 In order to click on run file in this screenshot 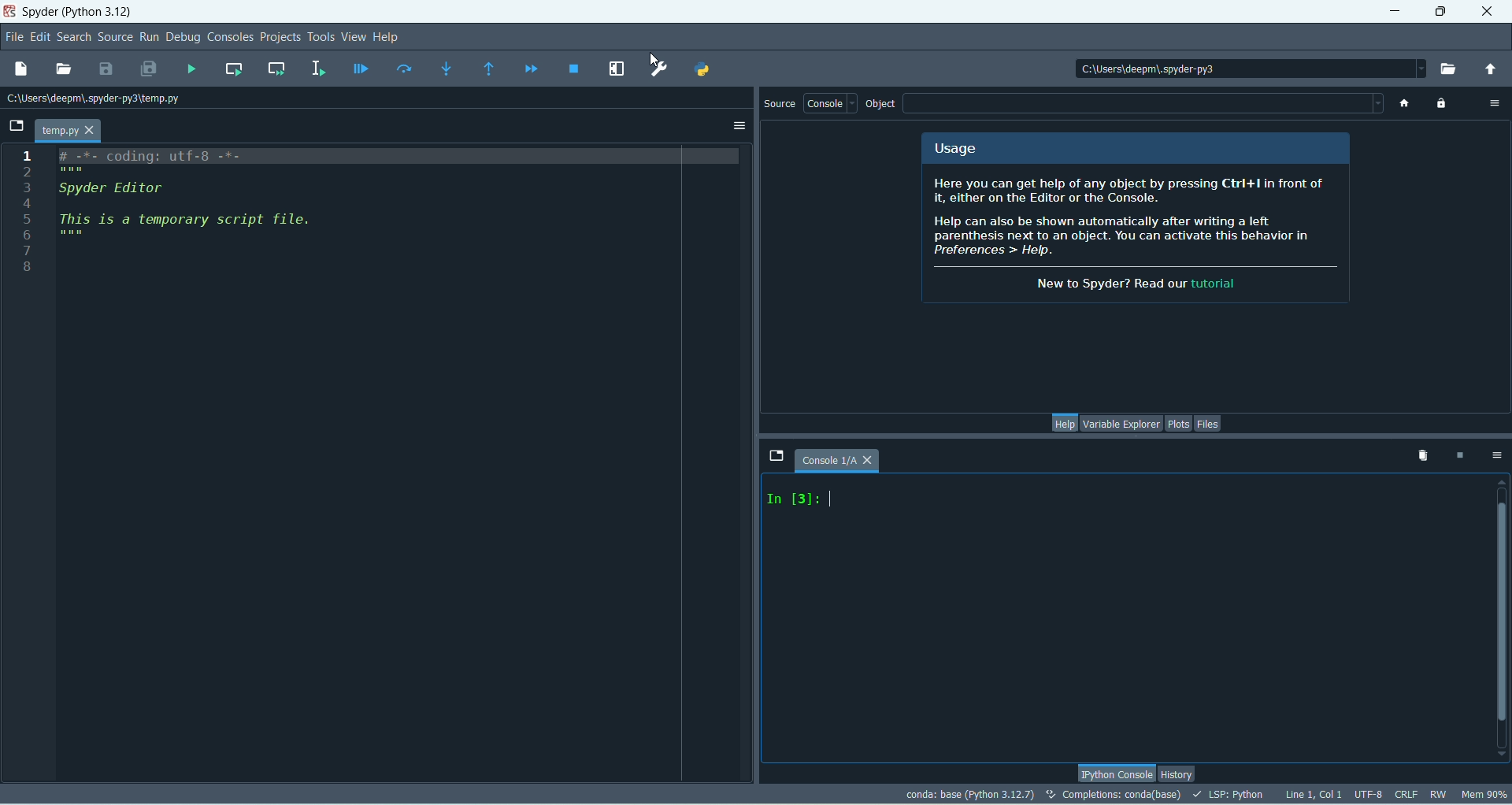, I will do `click(191, 71)`.